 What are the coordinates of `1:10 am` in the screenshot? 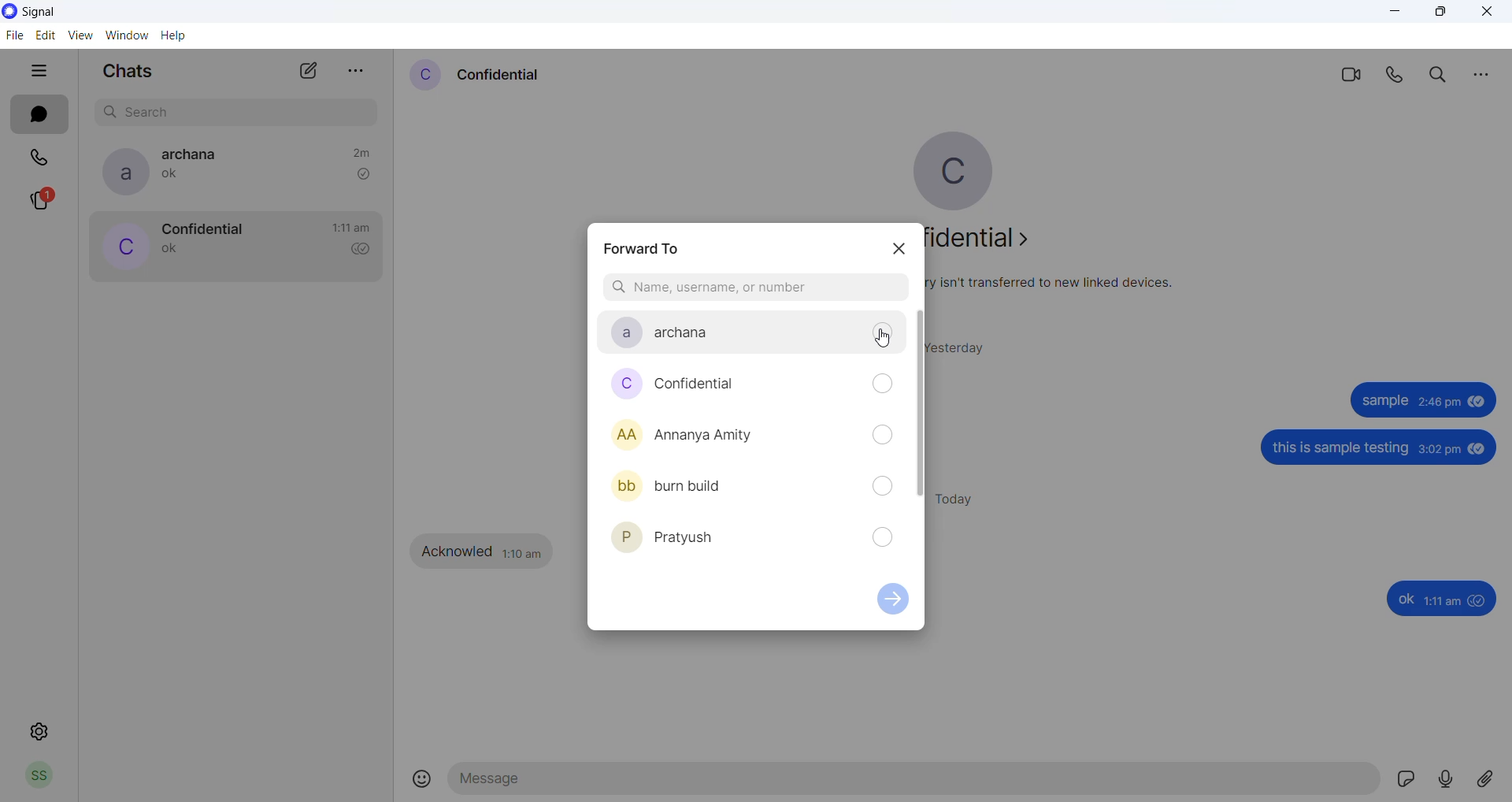 It's located at (523, 551).